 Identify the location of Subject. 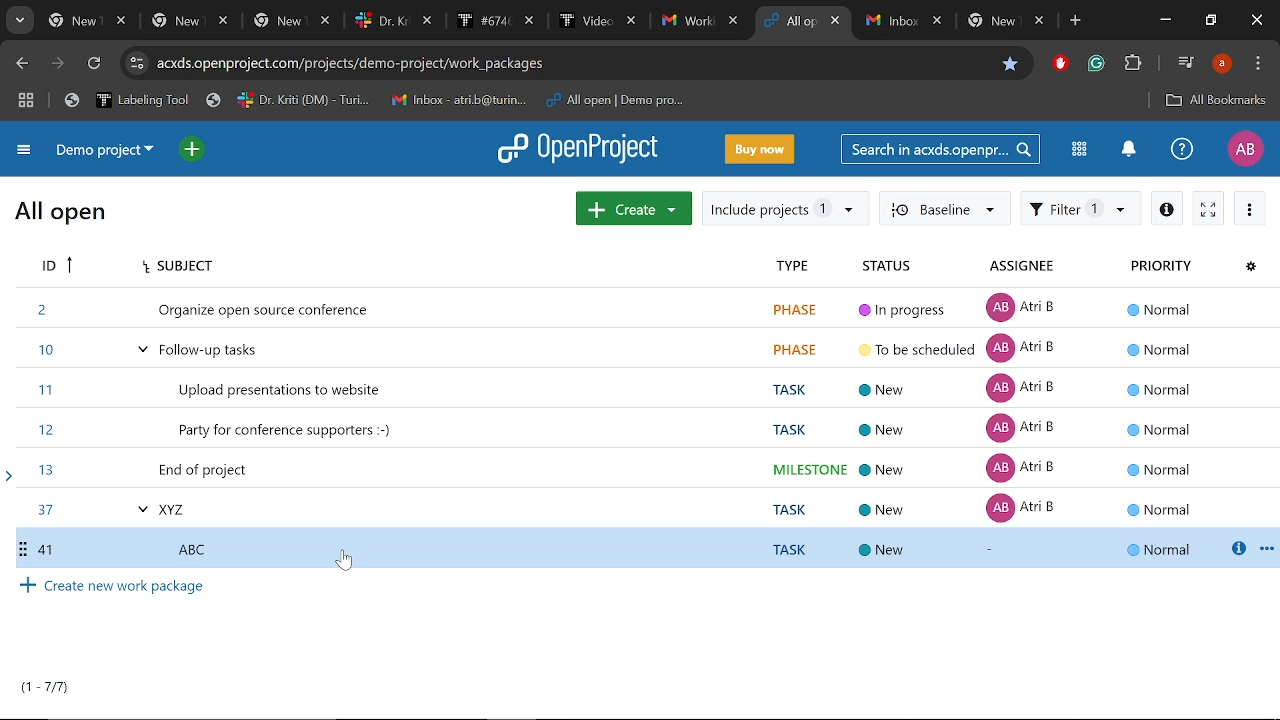
(437, 265).